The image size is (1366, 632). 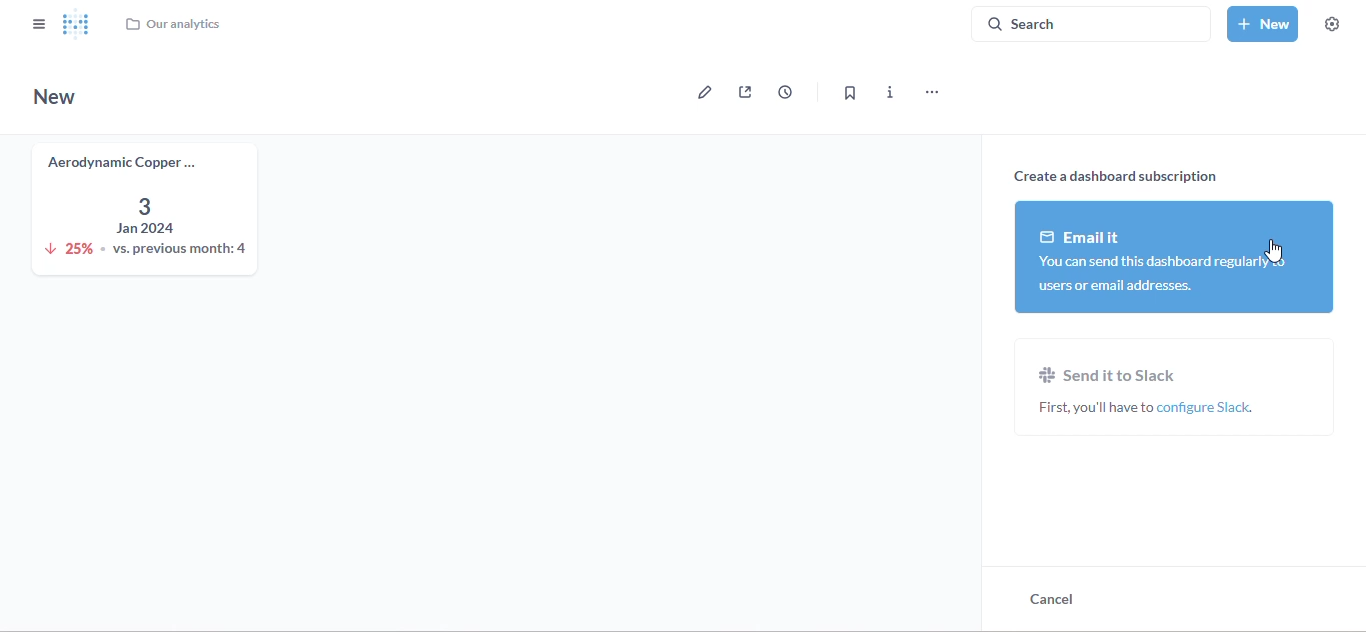 I want to click on create a dashboard subscription, so click(x=1117, y=177).